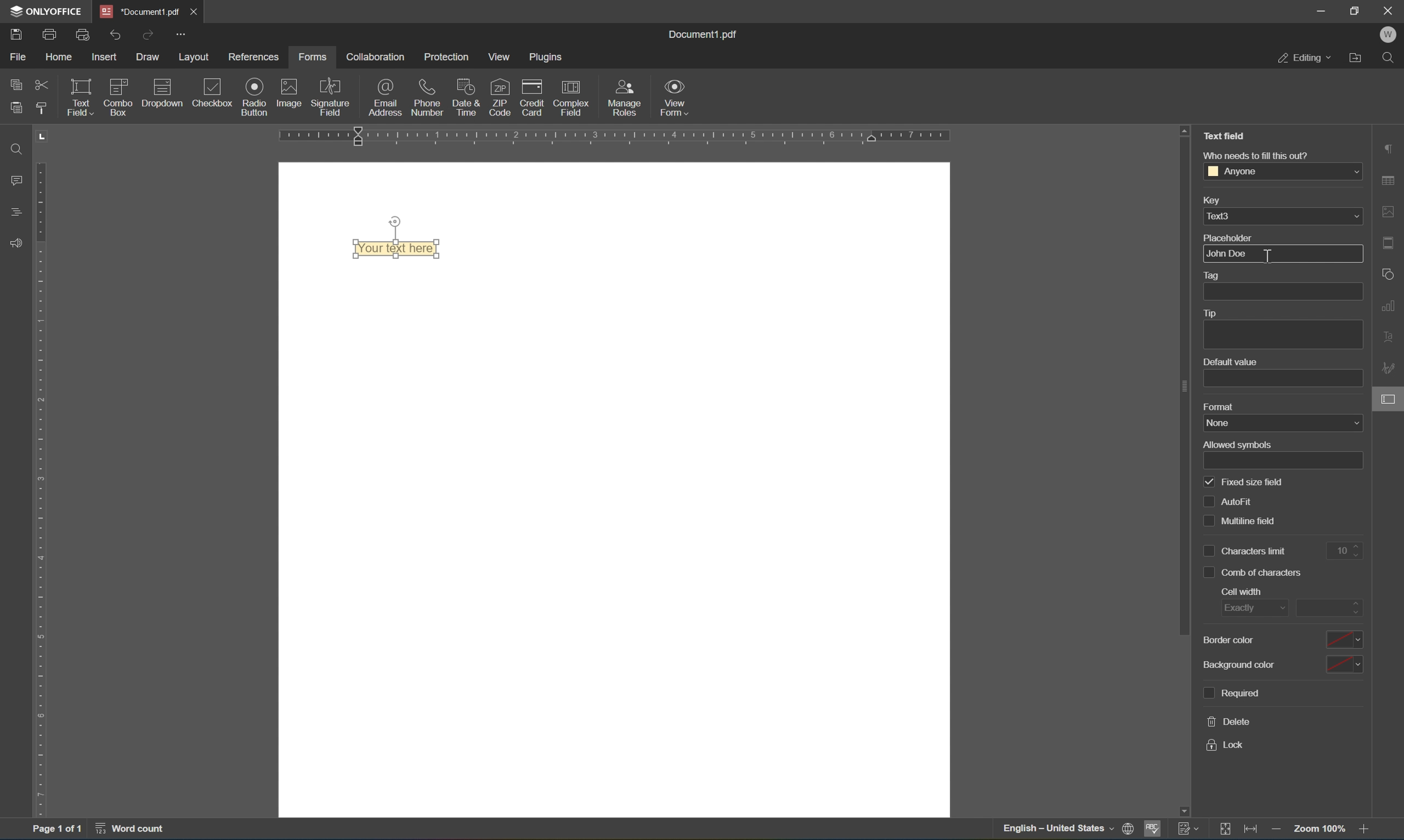 The width and height of the screenshot is (1404, 840). I want to click on references, so click(255, 58).